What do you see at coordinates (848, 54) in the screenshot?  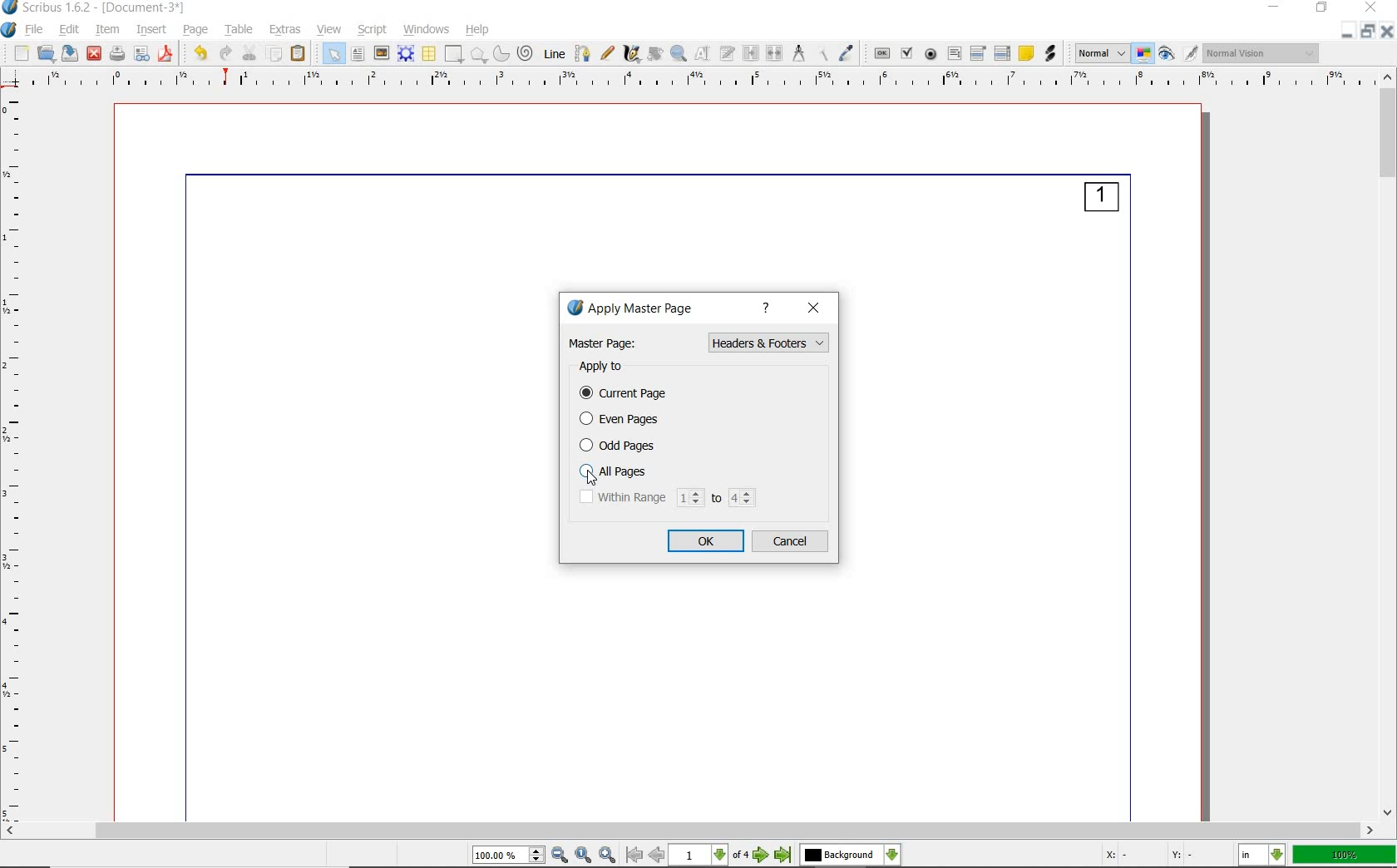 I see `eye dropper` at bounding box center [848, 54].